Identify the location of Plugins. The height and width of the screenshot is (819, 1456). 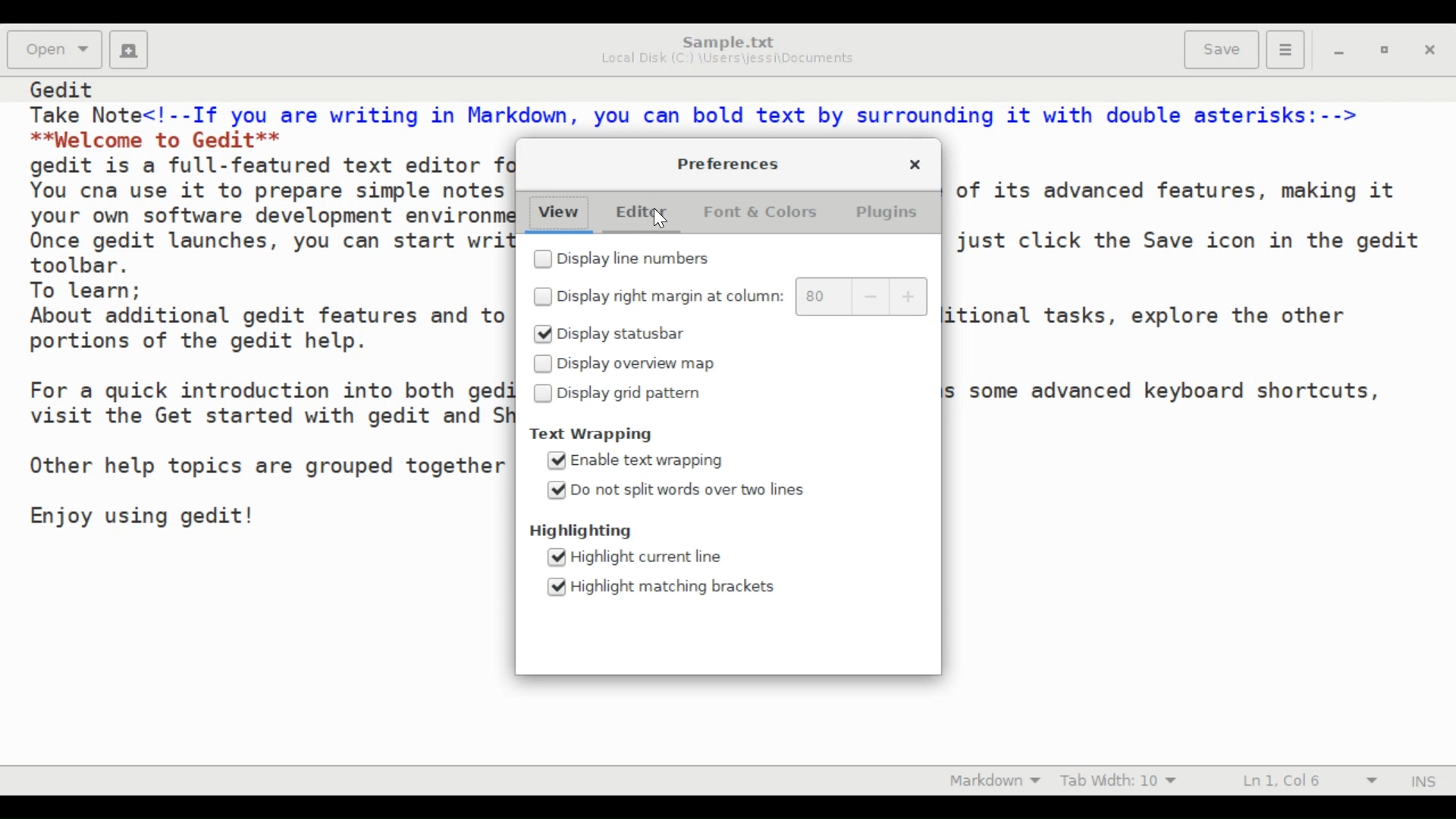
(893, 214).